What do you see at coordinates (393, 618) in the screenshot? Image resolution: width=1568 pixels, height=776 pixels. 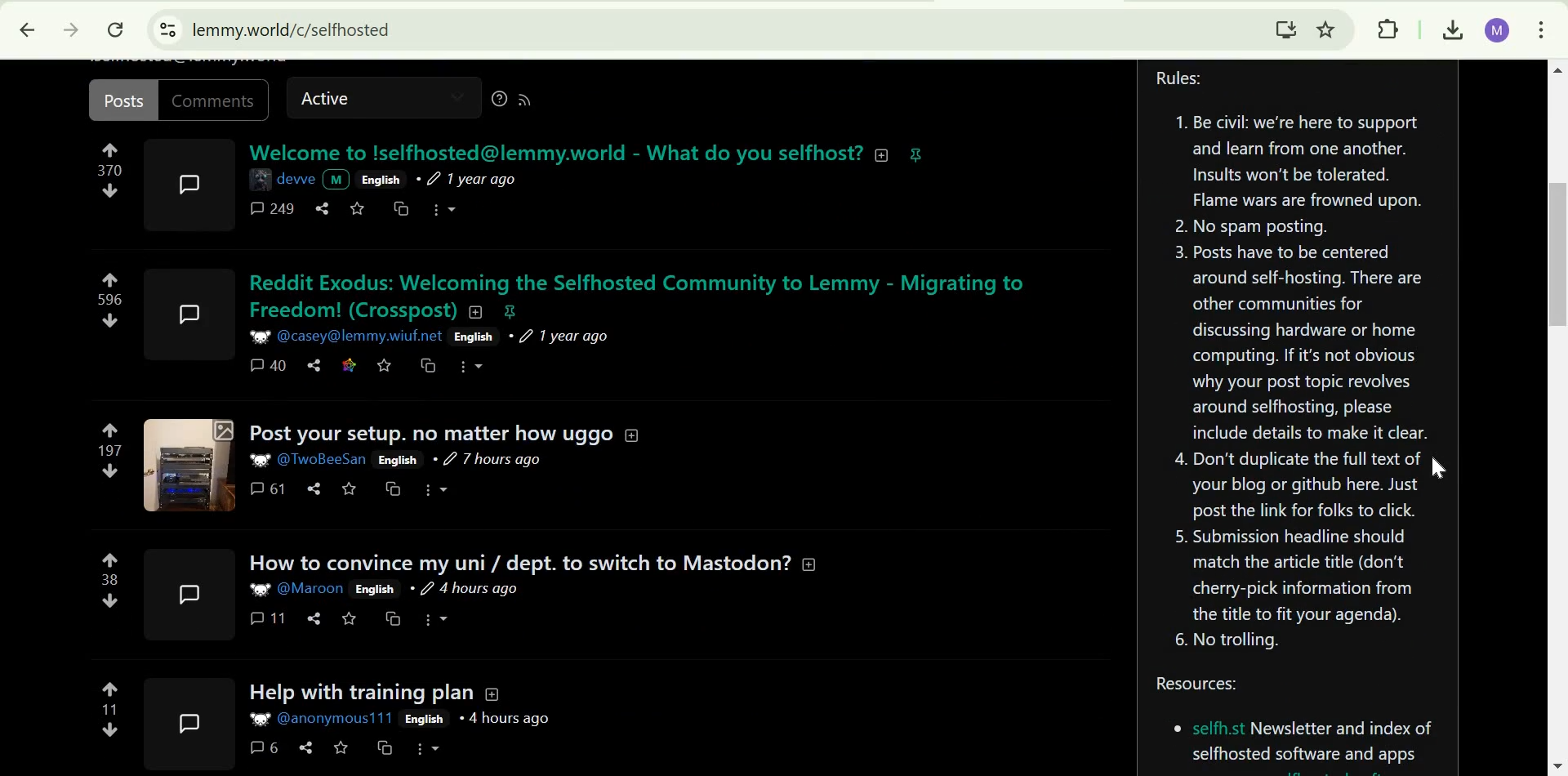 I see `cross-post` at bounding box center [393, 618].